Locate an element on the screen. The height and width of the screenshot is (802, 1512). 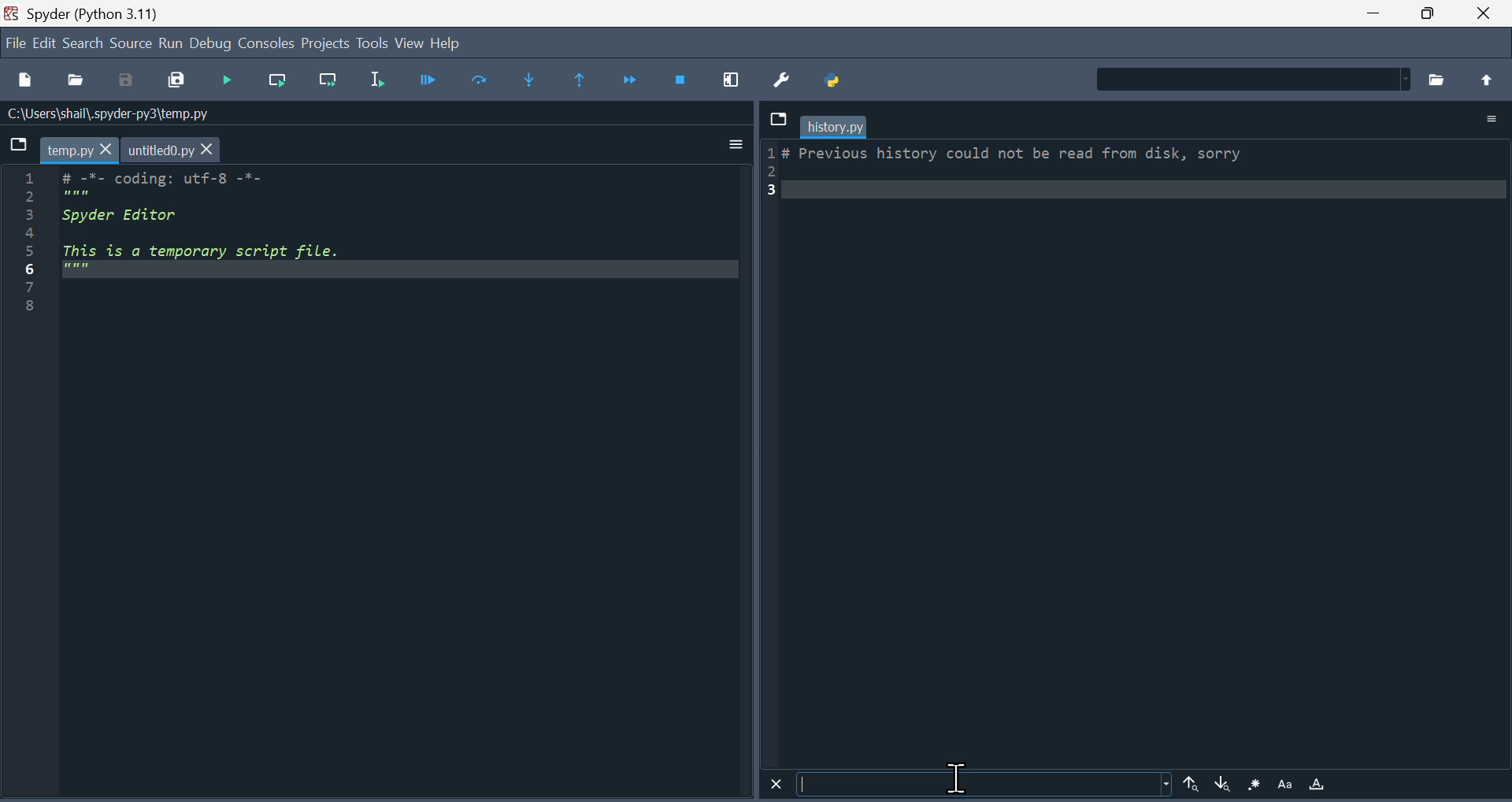
maximize current window is located at coordinates (736, 77).